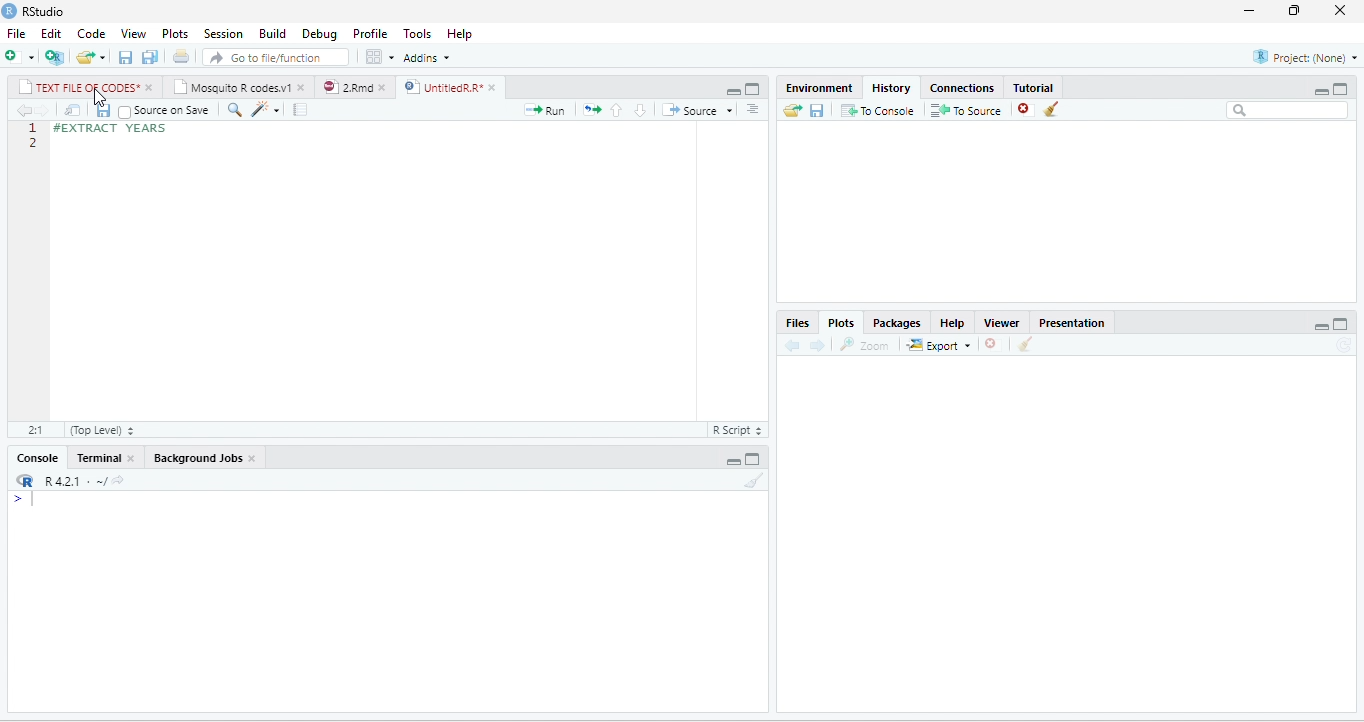  What do you see at coordinates (1001, 323) in the screenshot?
I see `Viewer` at bounding box center [1001, 323].